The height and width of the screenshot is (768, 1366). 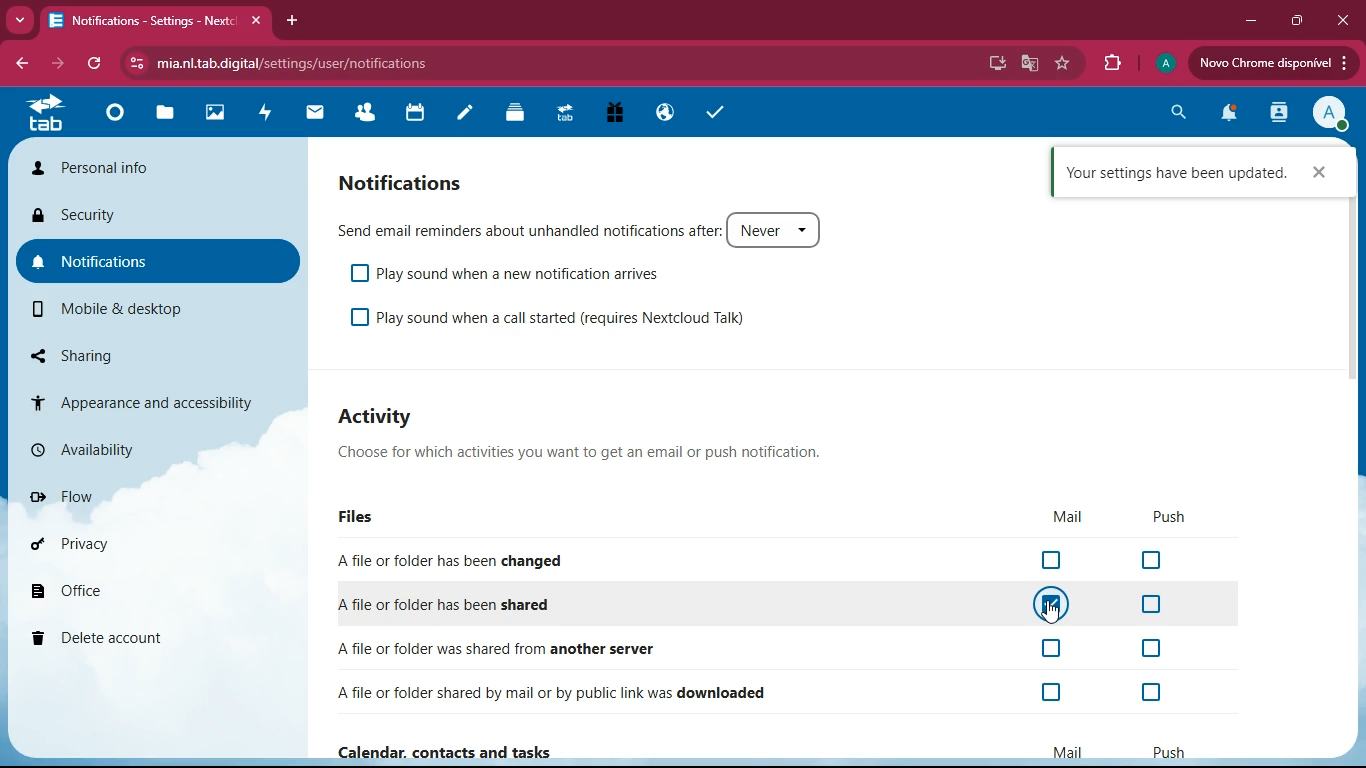 What do you see at coordinates (1107, 61) in the screenshot?
I see `extensions` at bounding box center [1107, 61].